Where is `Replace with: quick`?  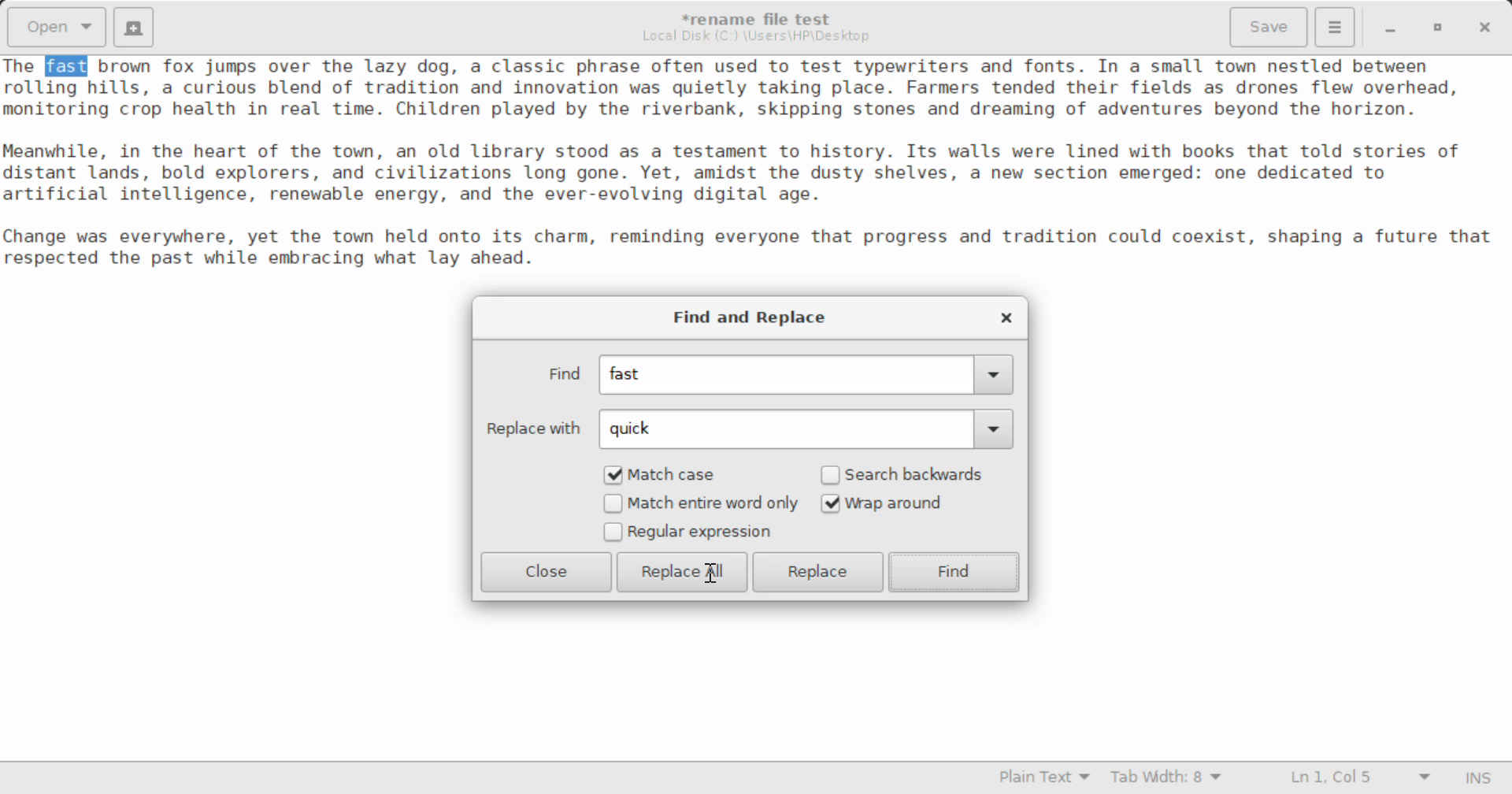
Replace with: quick is located at coordinates (747, 429).